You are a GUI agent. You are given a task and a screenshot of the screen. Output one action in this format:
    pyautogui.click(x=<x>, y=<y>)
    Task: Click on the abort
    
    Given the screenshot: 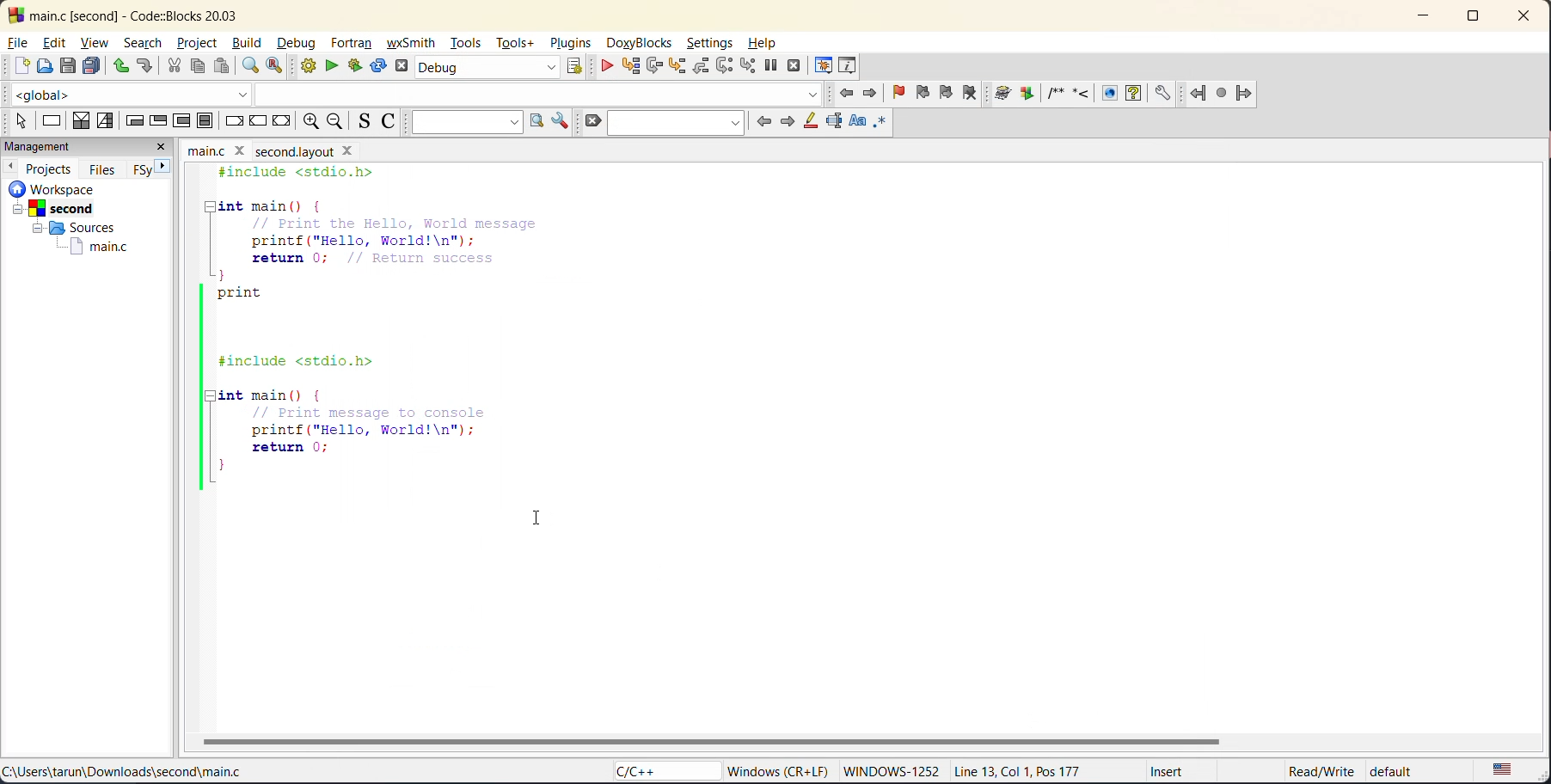 What is the action you would take?
    pyautogui.click(x=405, y=67)
    